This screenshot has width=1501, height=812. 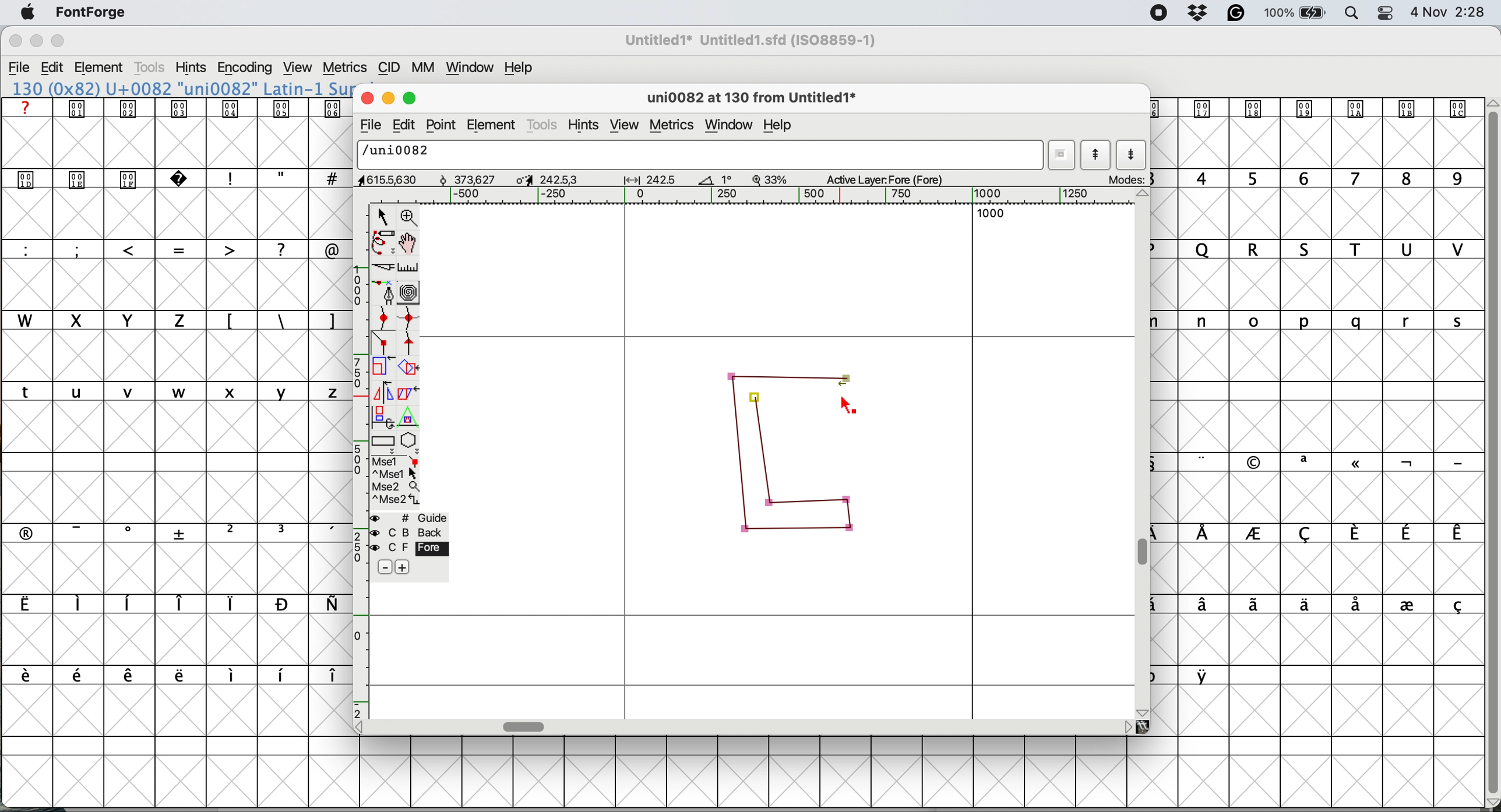 What do you see at coordinates (1060, 155) in the screenshot?
I see `current word list` at bounding box center [1060, 155].